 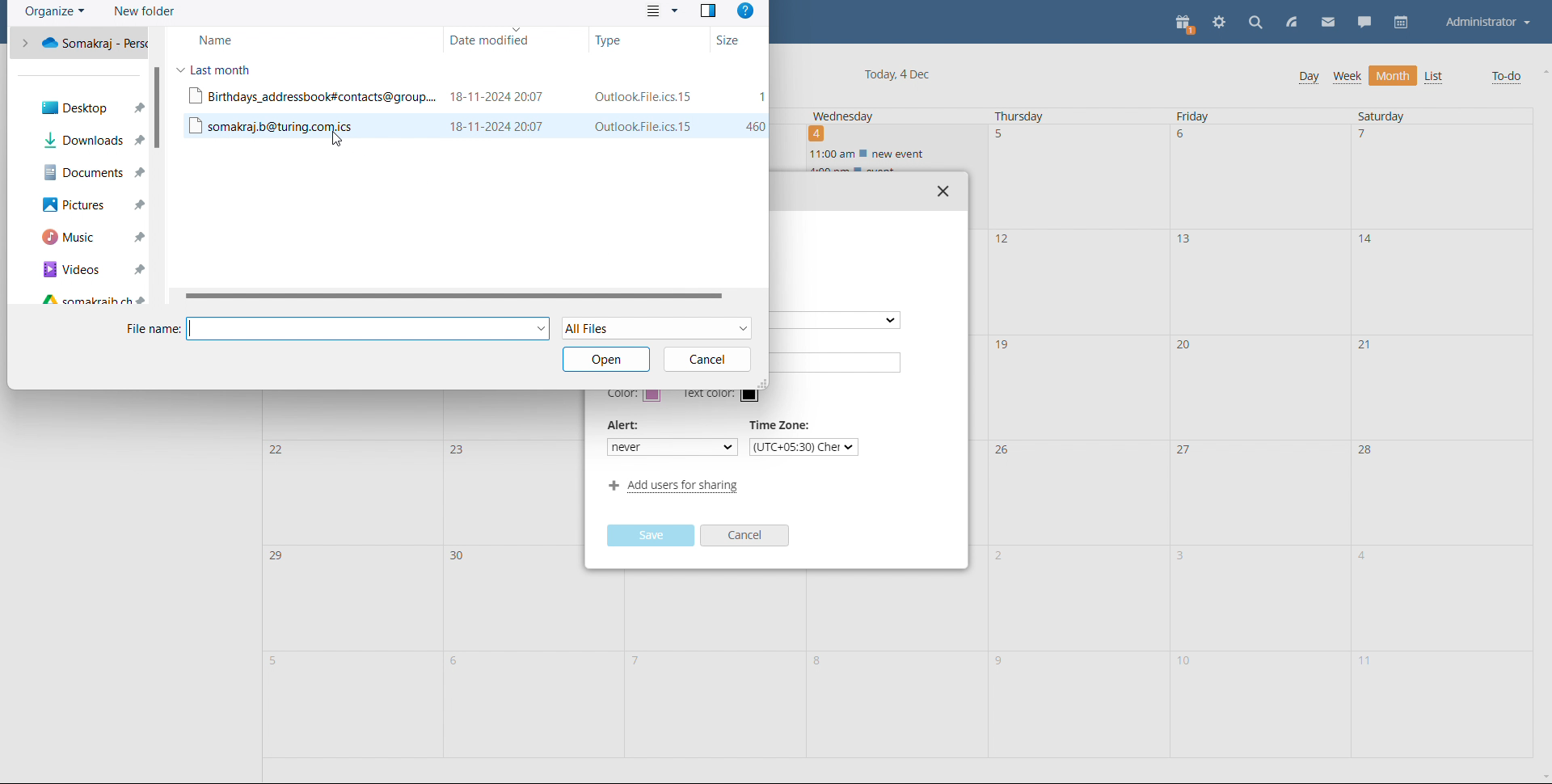 What do you see at coordinates (365, 326) in the screenshot?
I see `input file name` at bounding box center [365, 326].